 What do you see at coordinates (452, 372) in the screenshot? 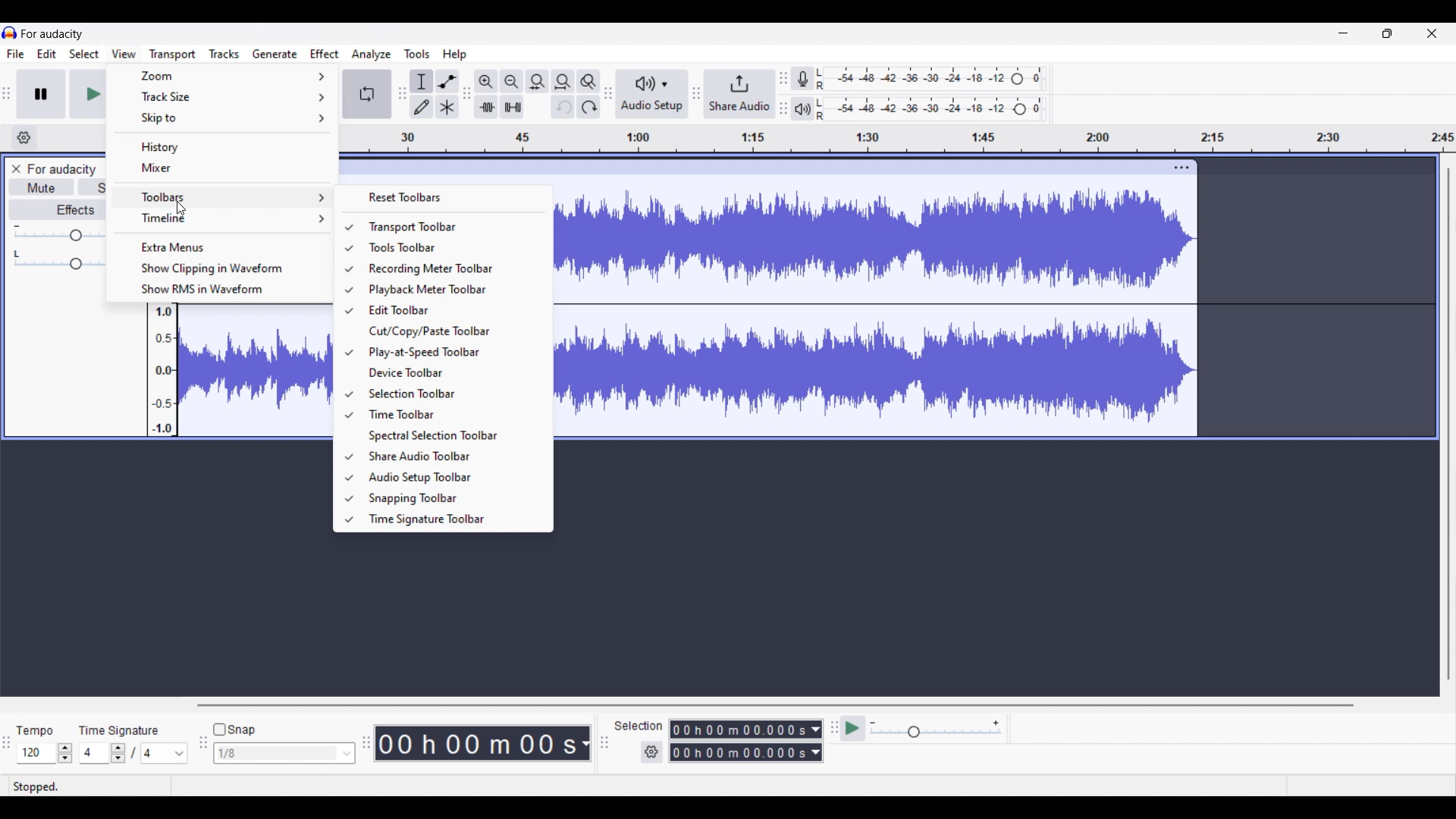
I see `Device toolbar` at bounding box center [452, 372].